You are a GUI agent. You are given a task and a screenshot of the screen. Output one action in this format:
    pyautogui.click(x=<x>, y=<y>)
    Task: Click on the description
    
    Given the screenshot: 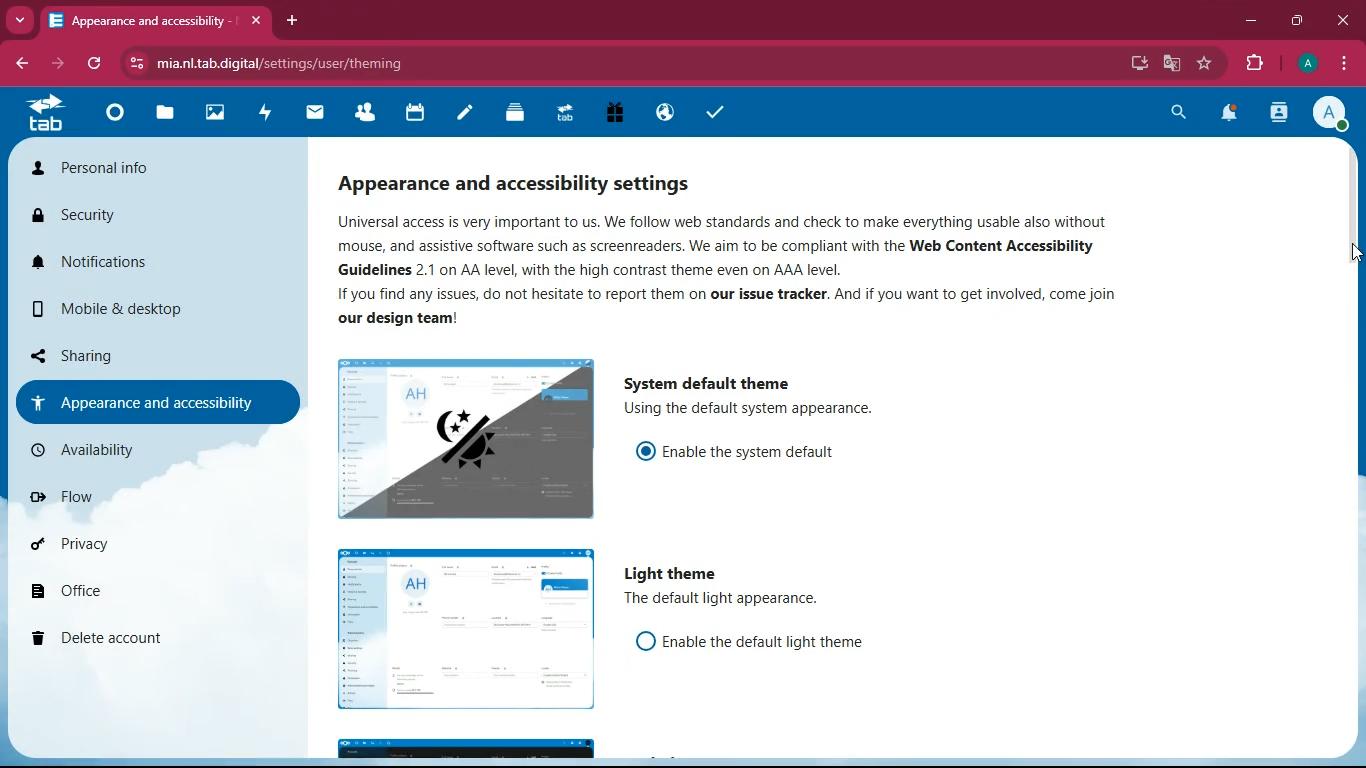 What is the action you would take?
    pyautogui.click(x=791, y=266)
    